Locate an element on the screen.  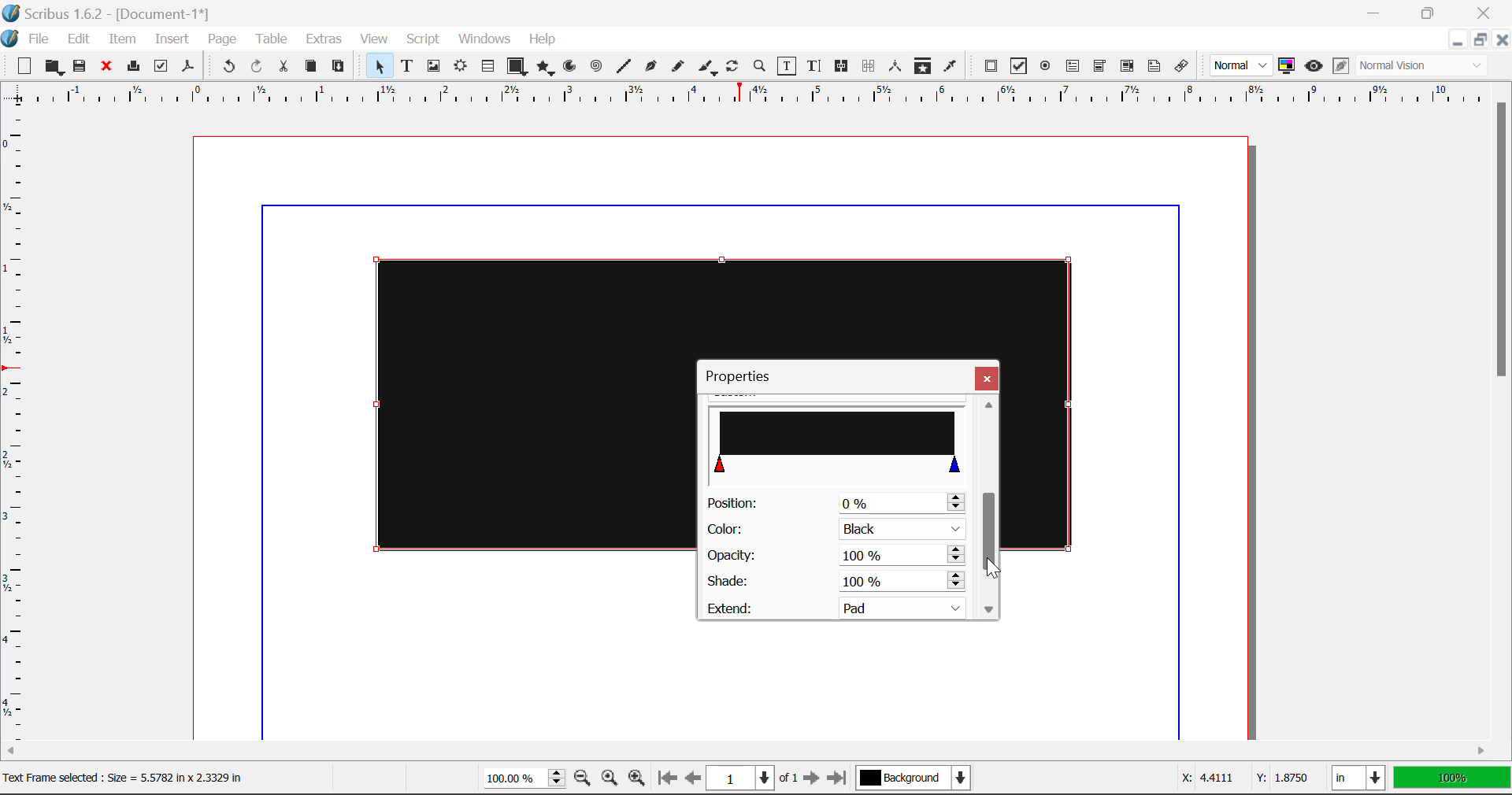
Scroll Bar is located at coordinates (988, 508).